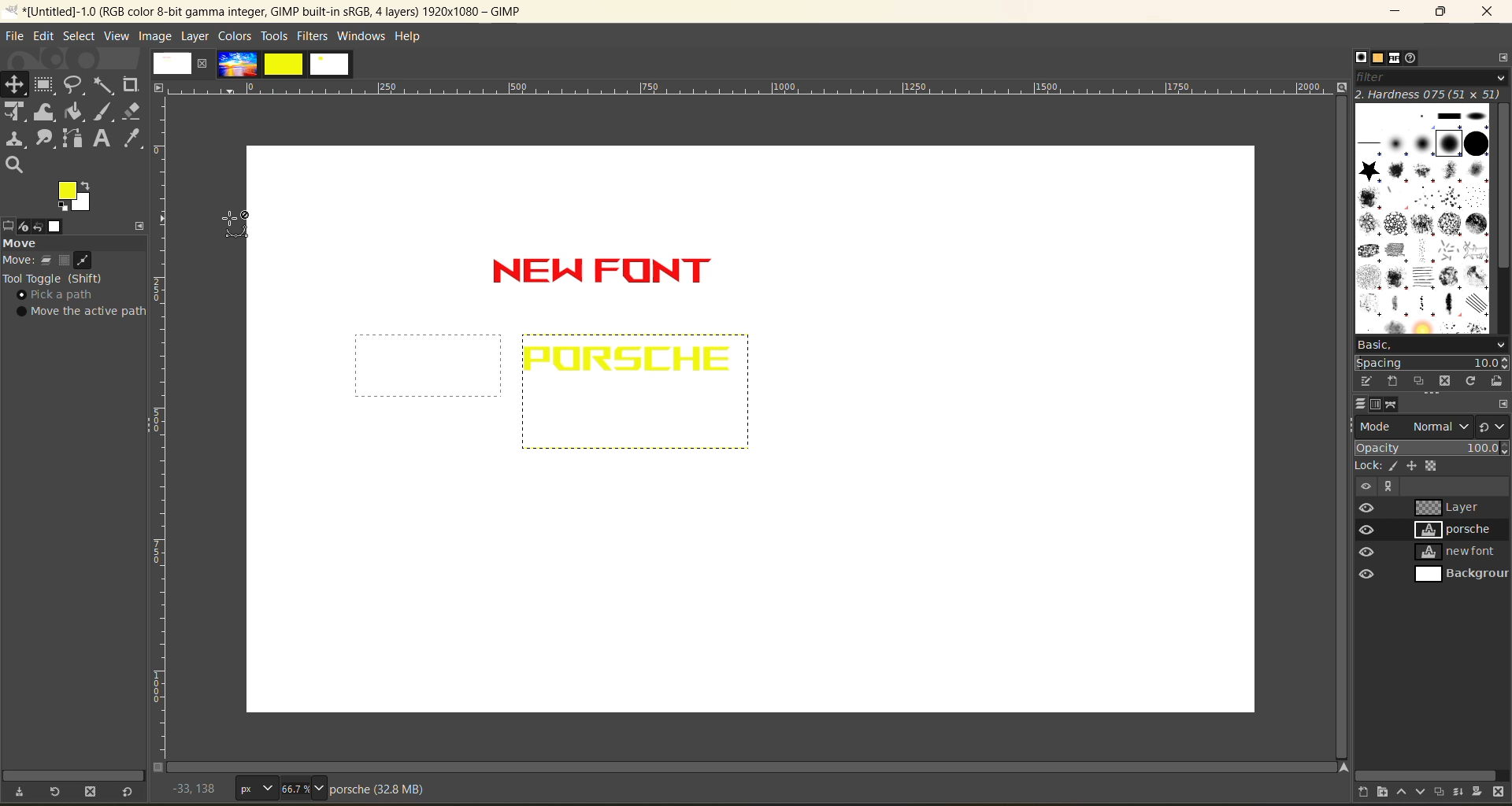 The width and height of the screenshot is (1512, 806). Describe the element at coordinates (15, 85) in the screenshot. I see `position` at that location.